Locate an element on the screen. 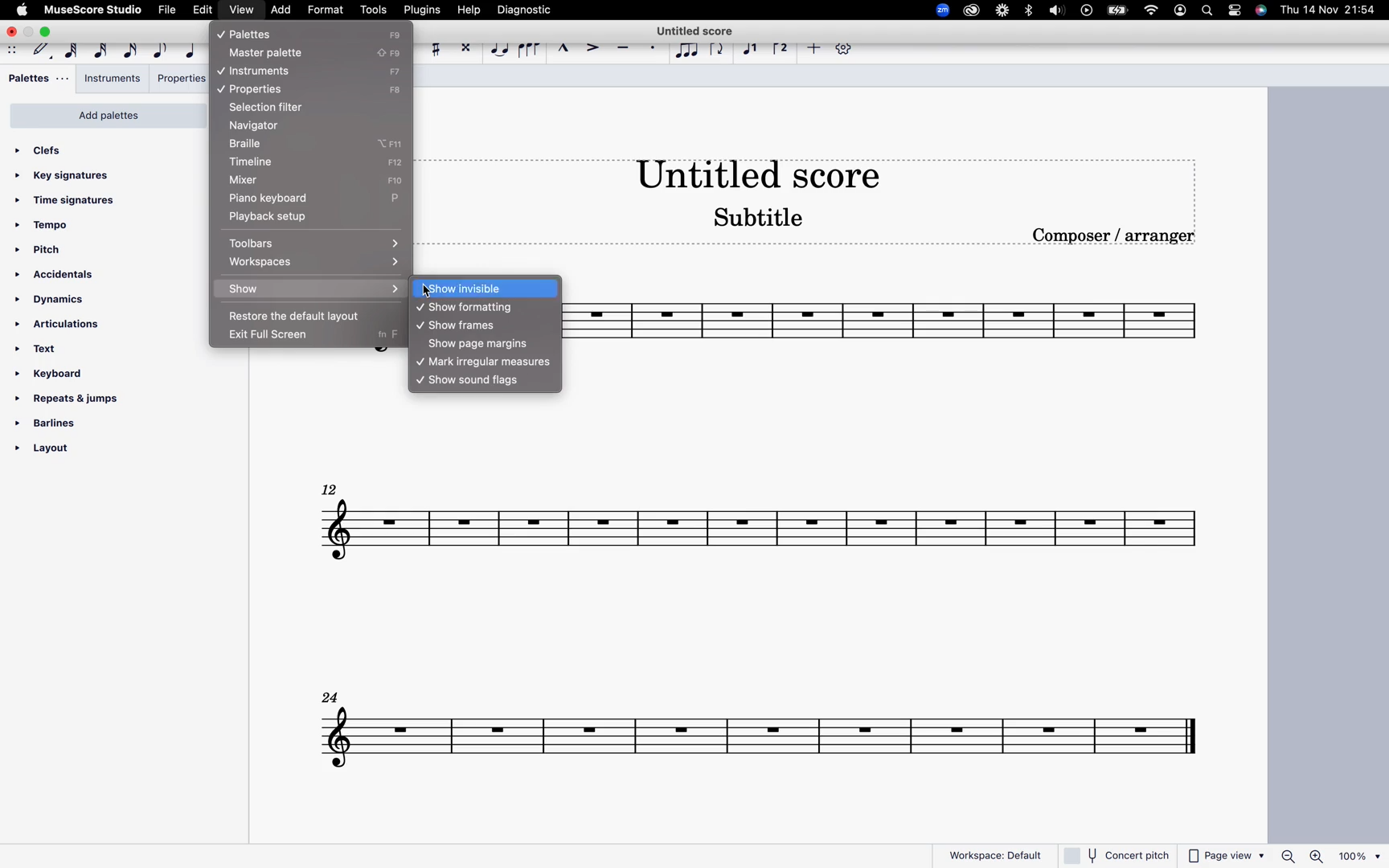 The height and width of the screenshot is (868, 1389). F12 is located at coordinates (400, 164).